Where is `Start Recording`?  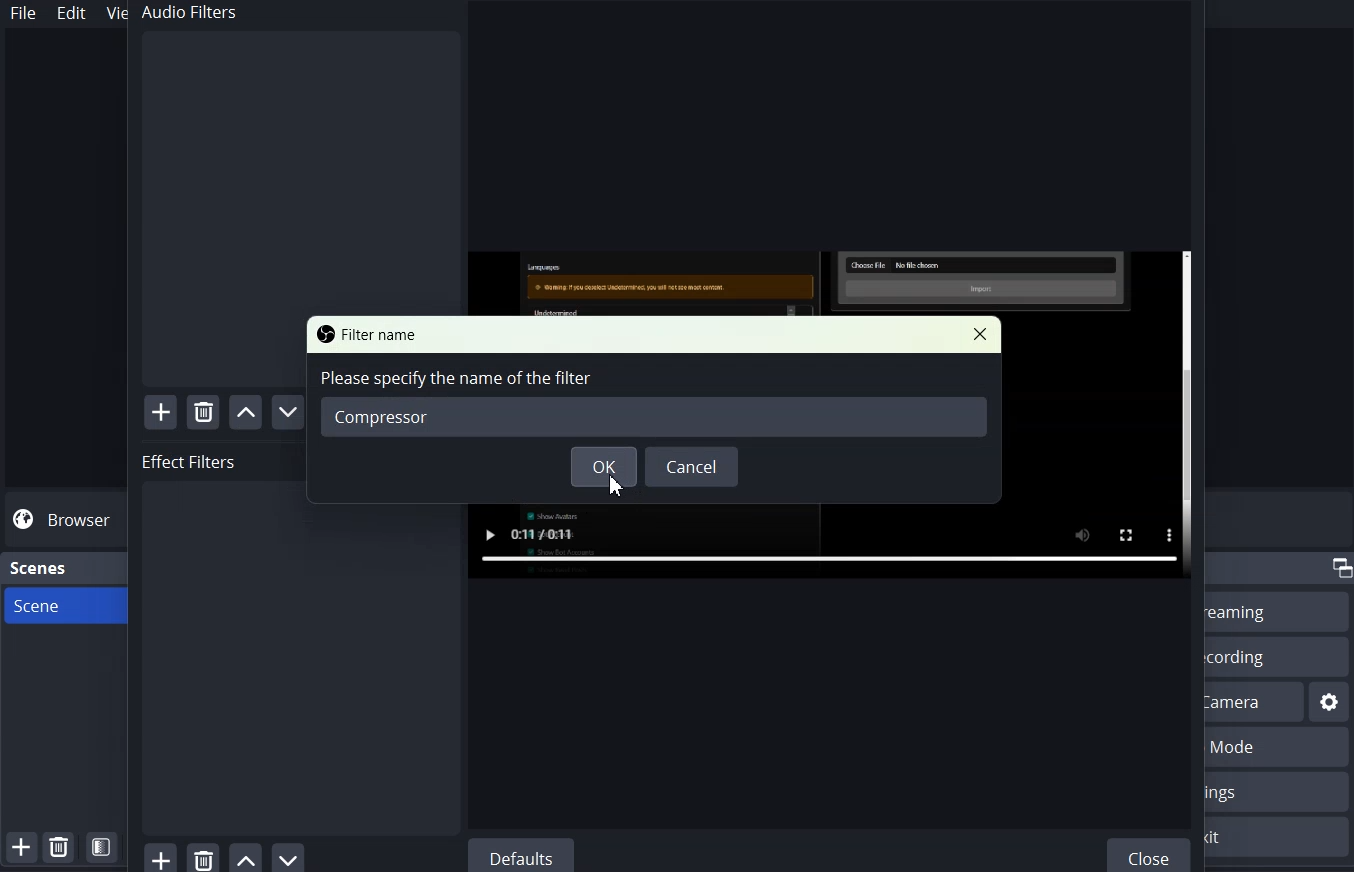 Start Recording is located at coordinates (1275, 656).